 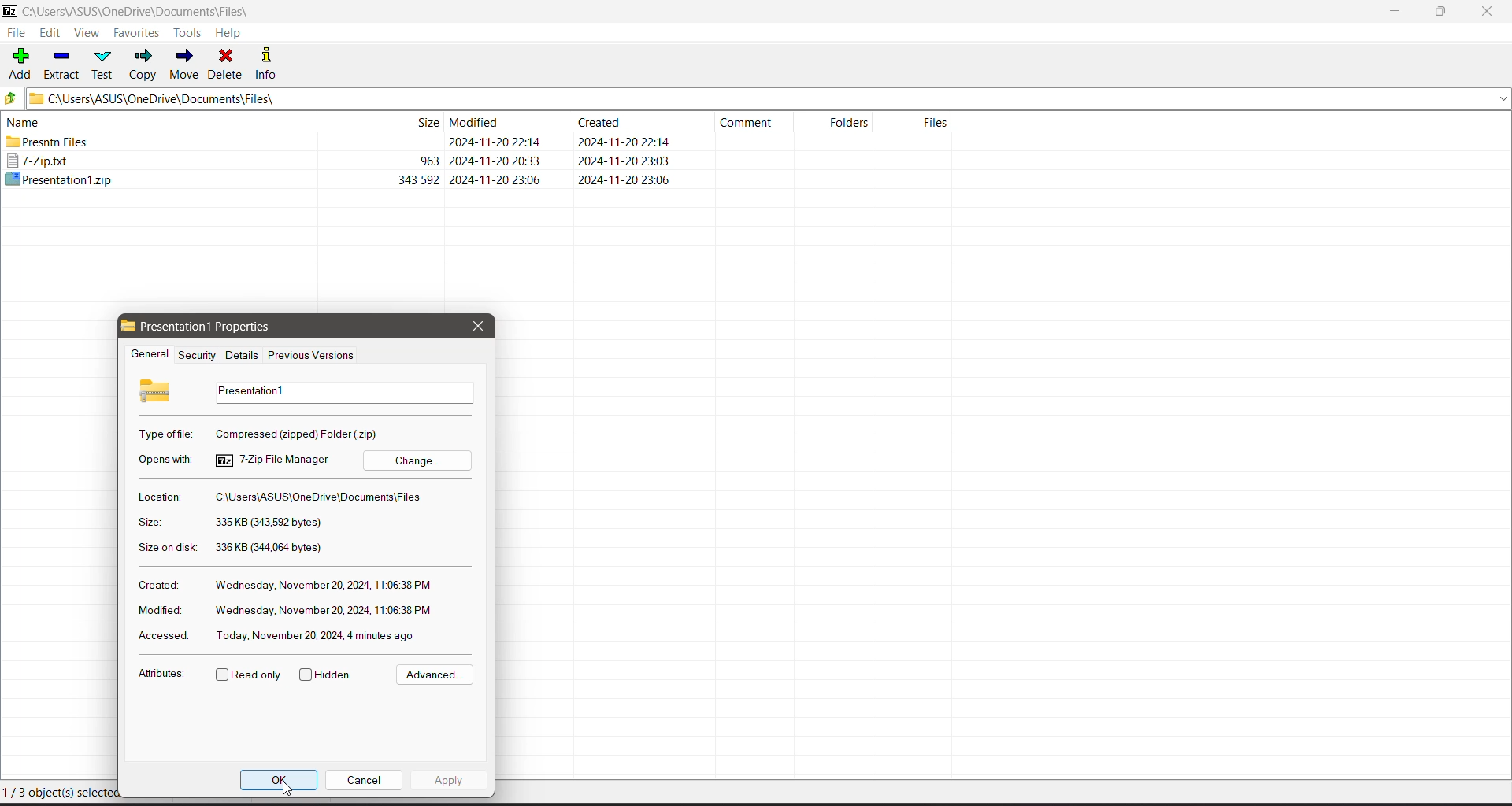 What do you see at coordinates (167, 434) in the screenshot?
I see `Type of file` at bounding box center [167, 434].